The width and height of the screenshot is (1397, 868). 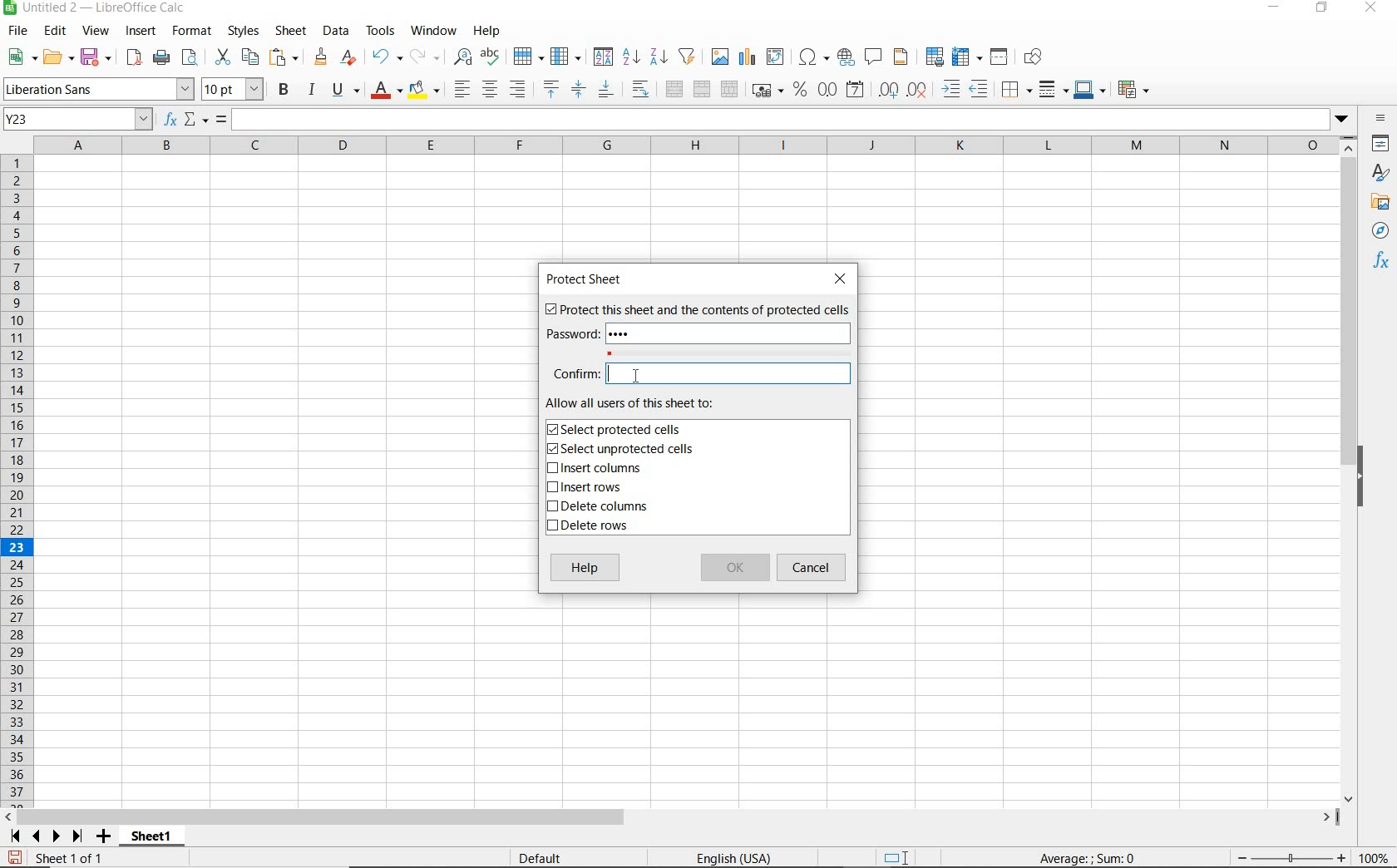 What do you see at coordinates (658, 57) in the screenshot?
I see `SORT DESCENDING` at bounding box center [658, 57].